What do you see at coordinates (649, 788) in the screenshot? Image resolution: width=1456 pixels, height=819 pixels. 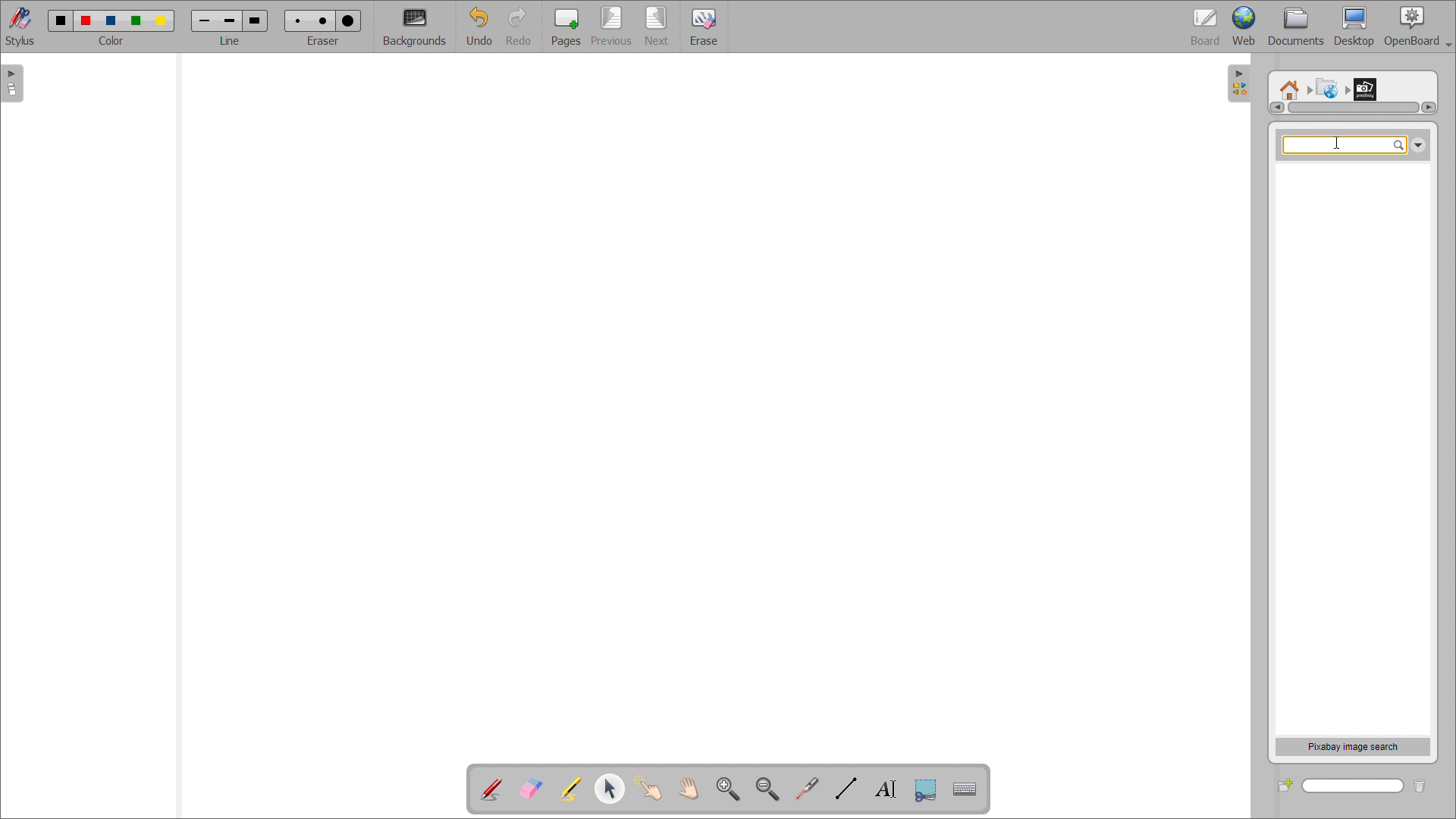 I see `interact with items` at bounding box center [649, 788].